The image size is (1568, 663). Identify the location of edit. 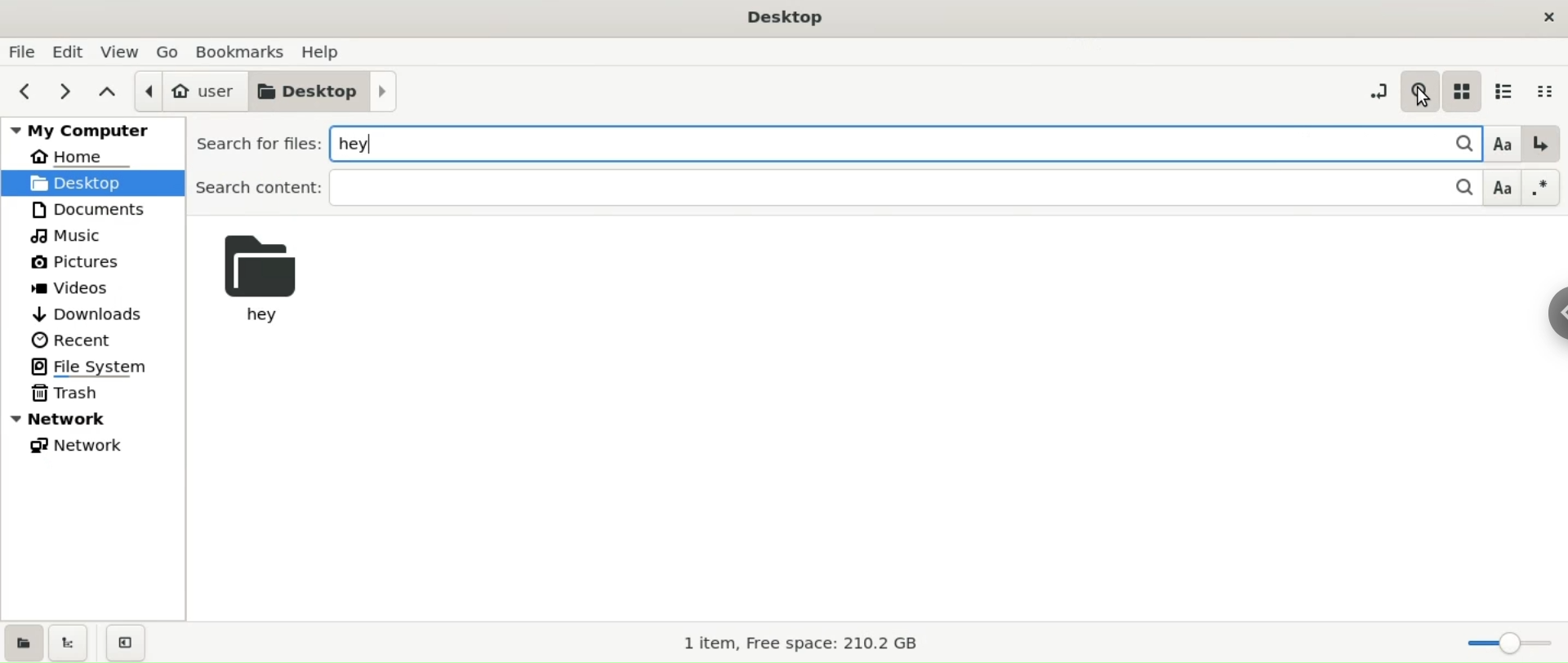
(69, 51).